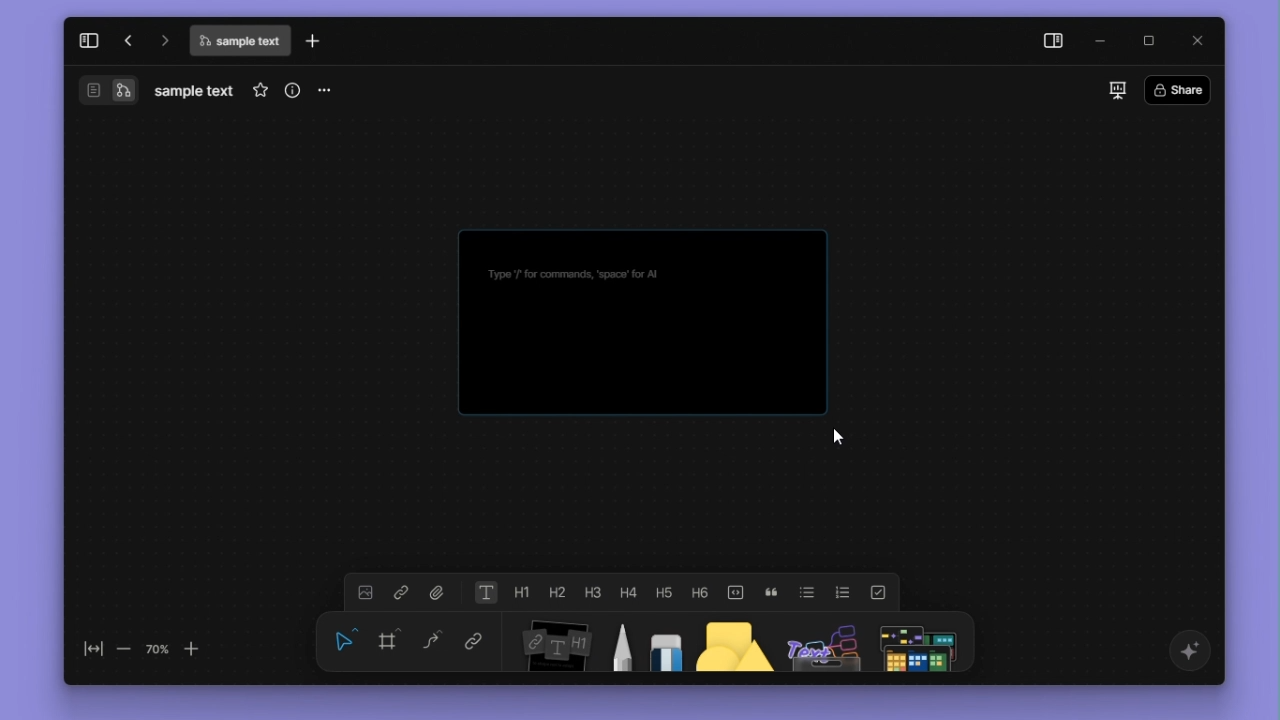  I want to click on close, so click(1194, 40).